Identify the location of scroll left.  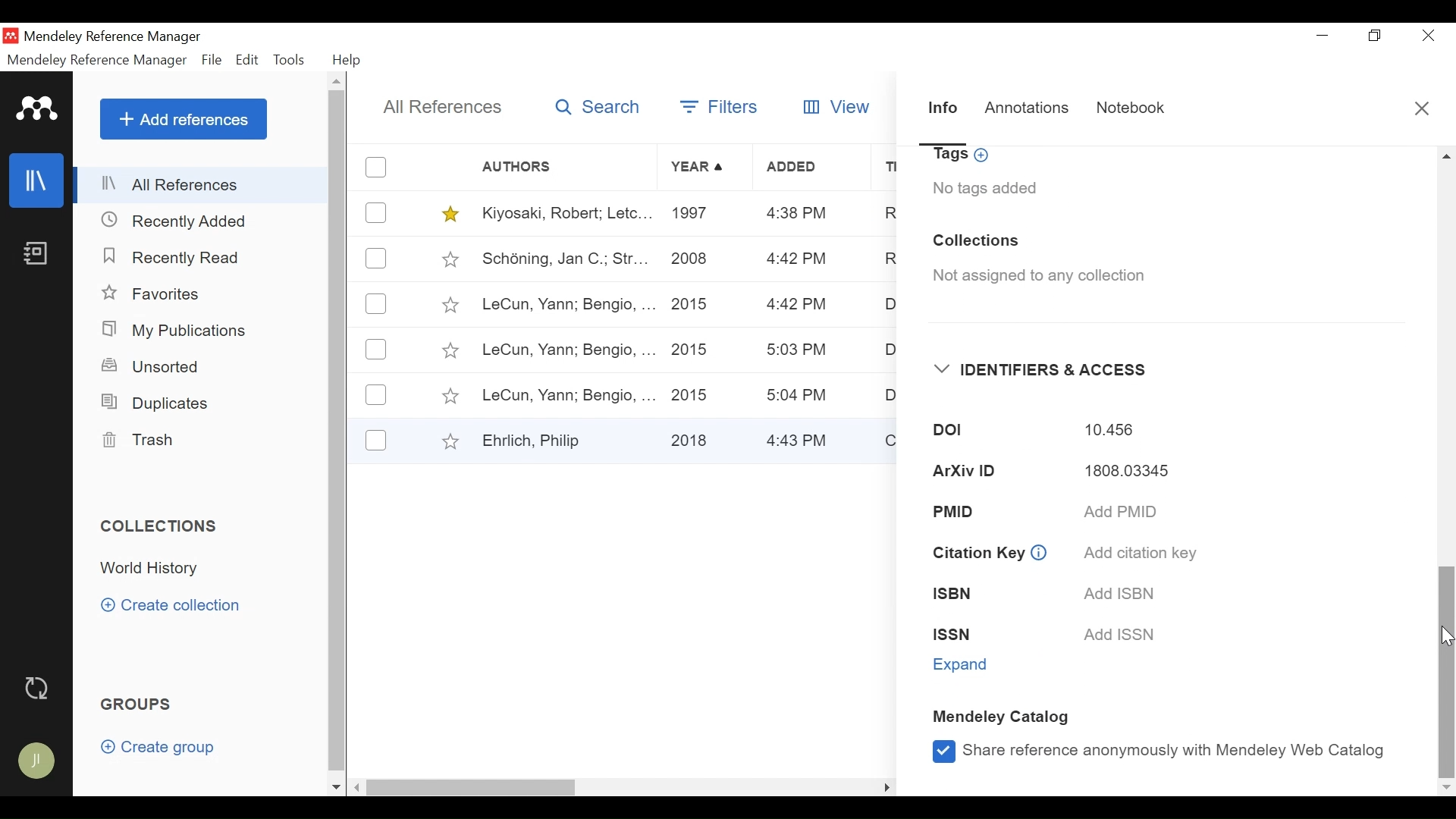
(358, 787).